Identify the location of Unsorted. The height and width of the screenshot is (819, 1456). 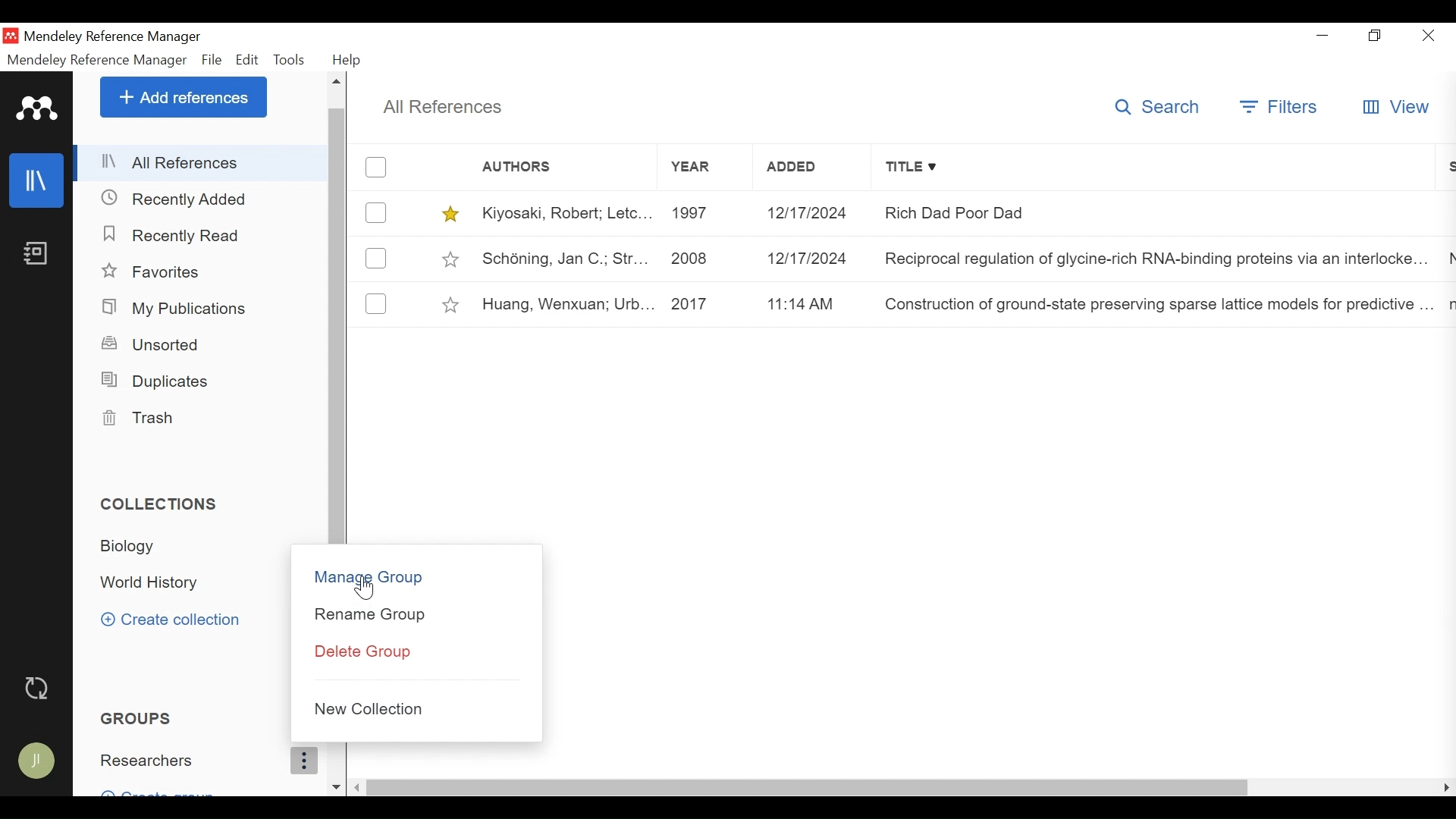
(156, 344).